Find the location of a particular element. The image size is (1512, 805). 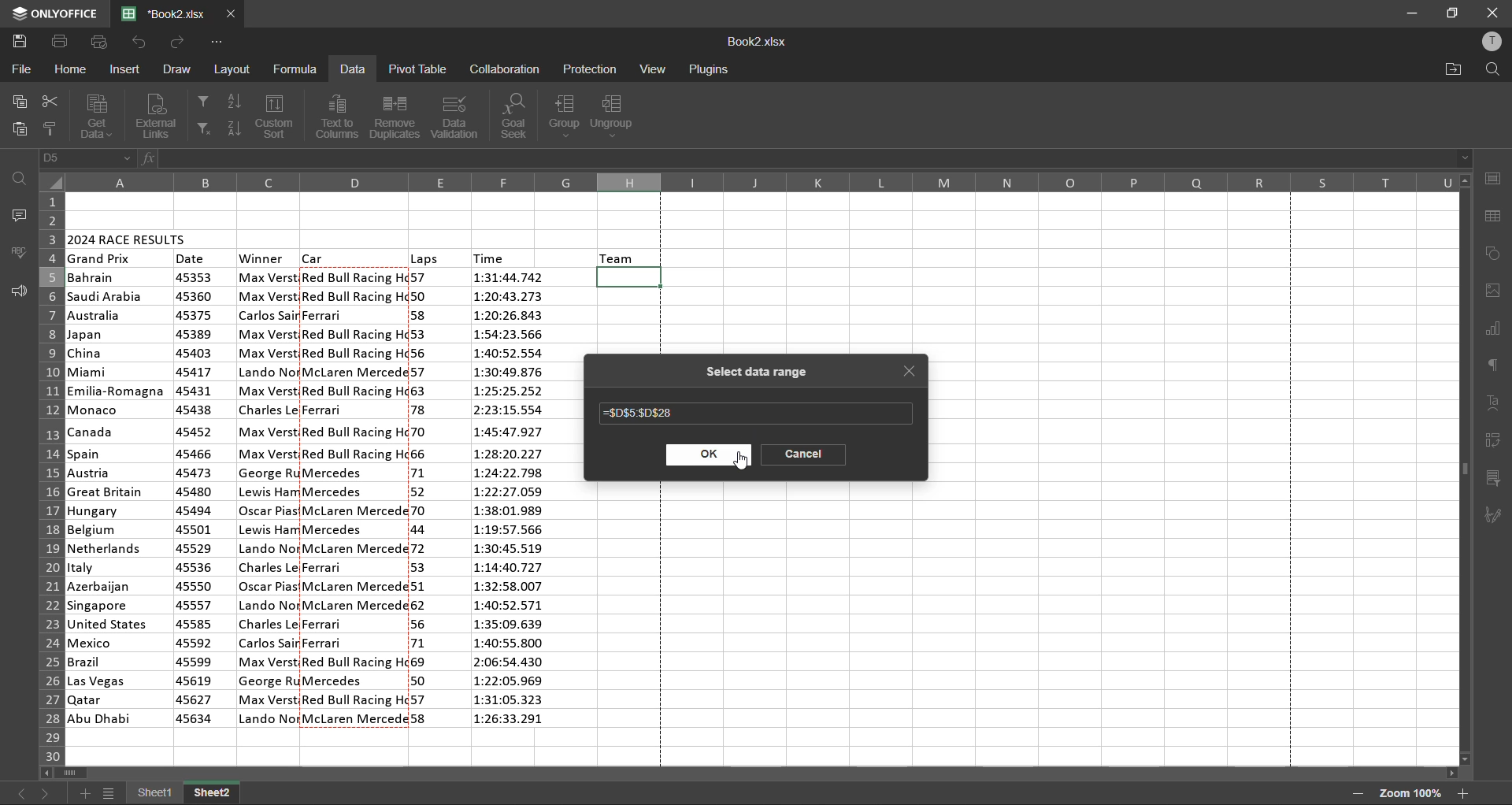

car is located at coordinates (315, 257).